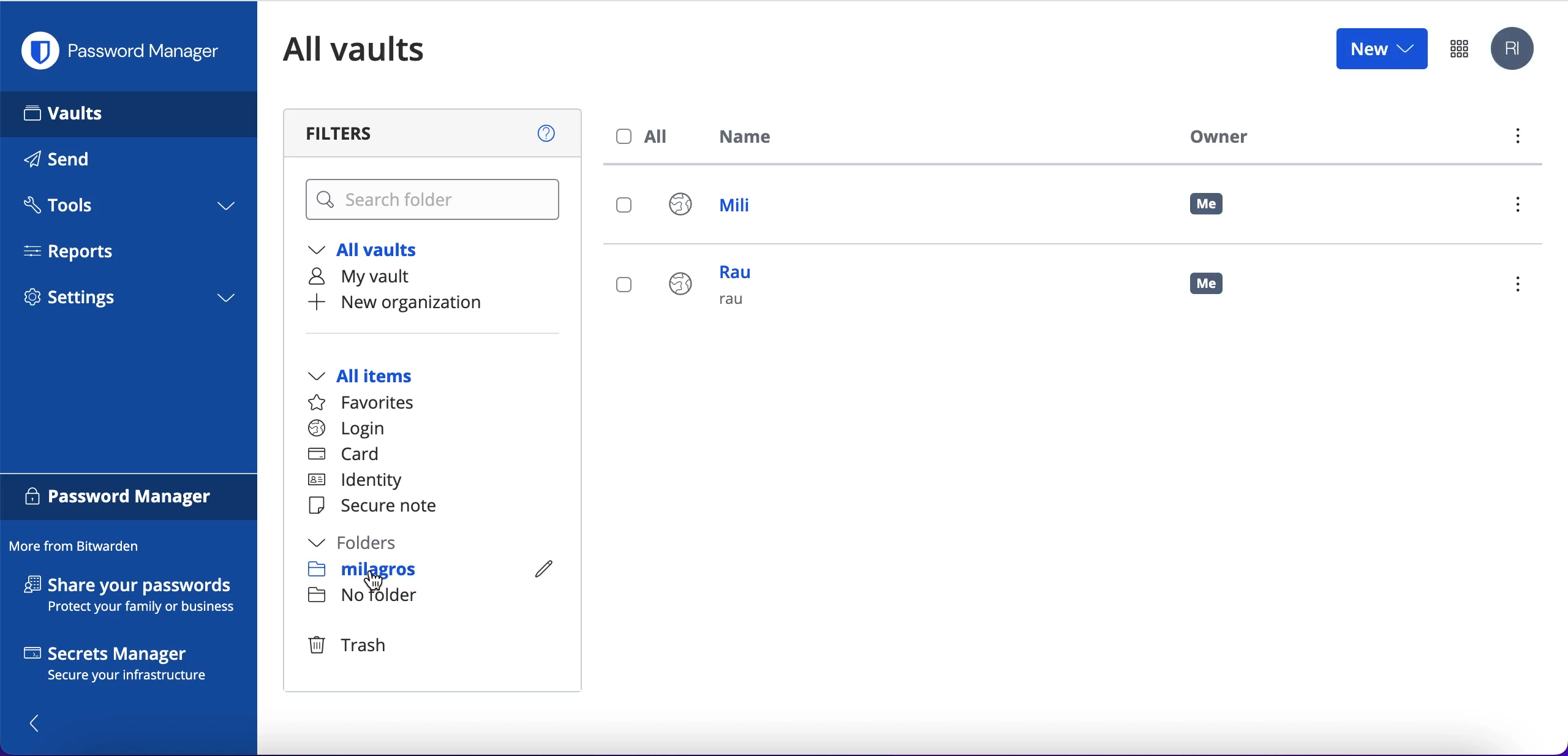 The image size is (1568, 756). I want to click on me, so click(1208, 205).